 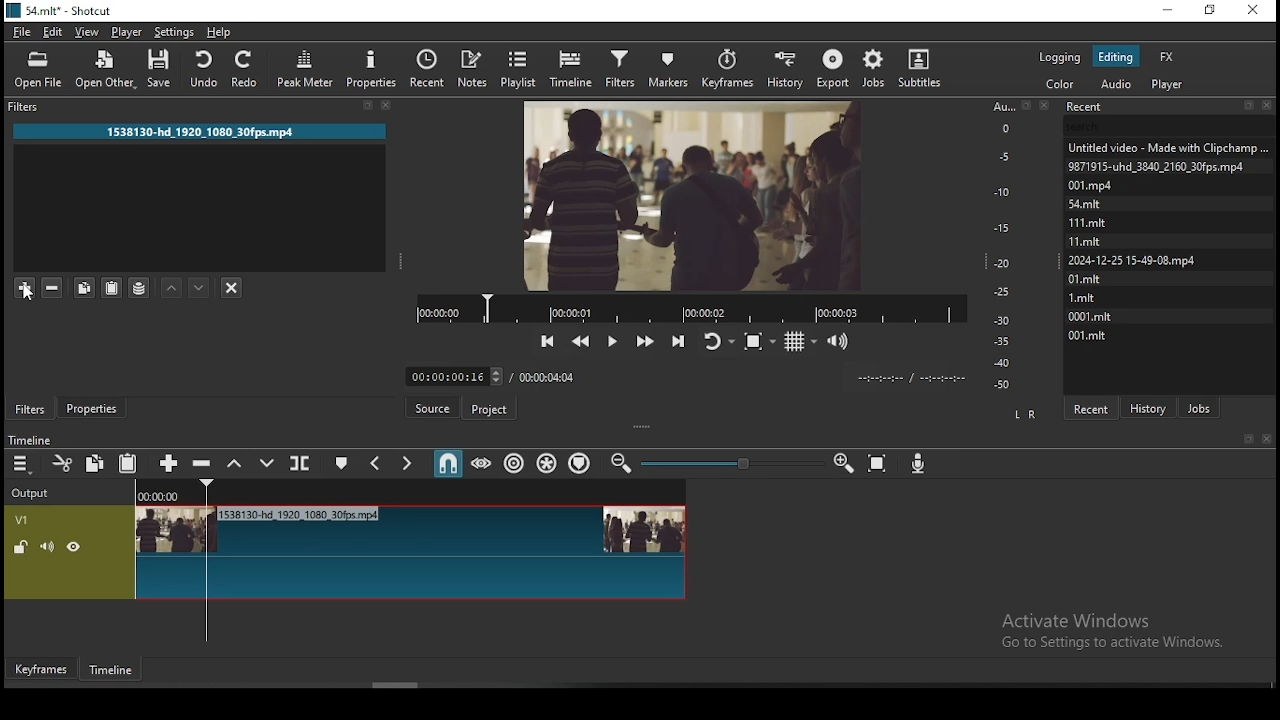 What do you see at coordinates (41, 69) in the screenshot?
I see `open file` at bounding box center [41, 69].